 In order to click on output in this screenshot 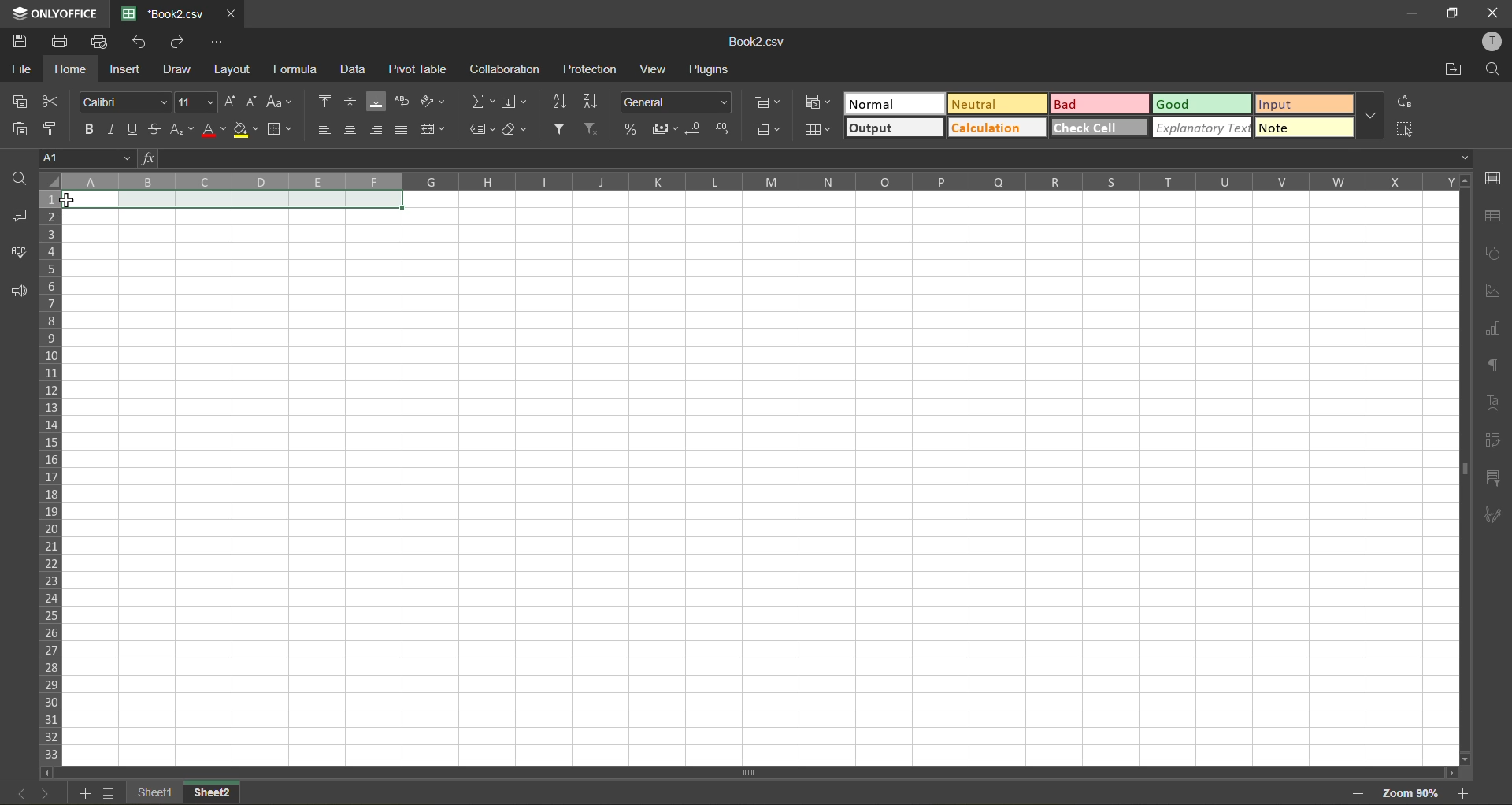, I will do `click(895, 129)`.